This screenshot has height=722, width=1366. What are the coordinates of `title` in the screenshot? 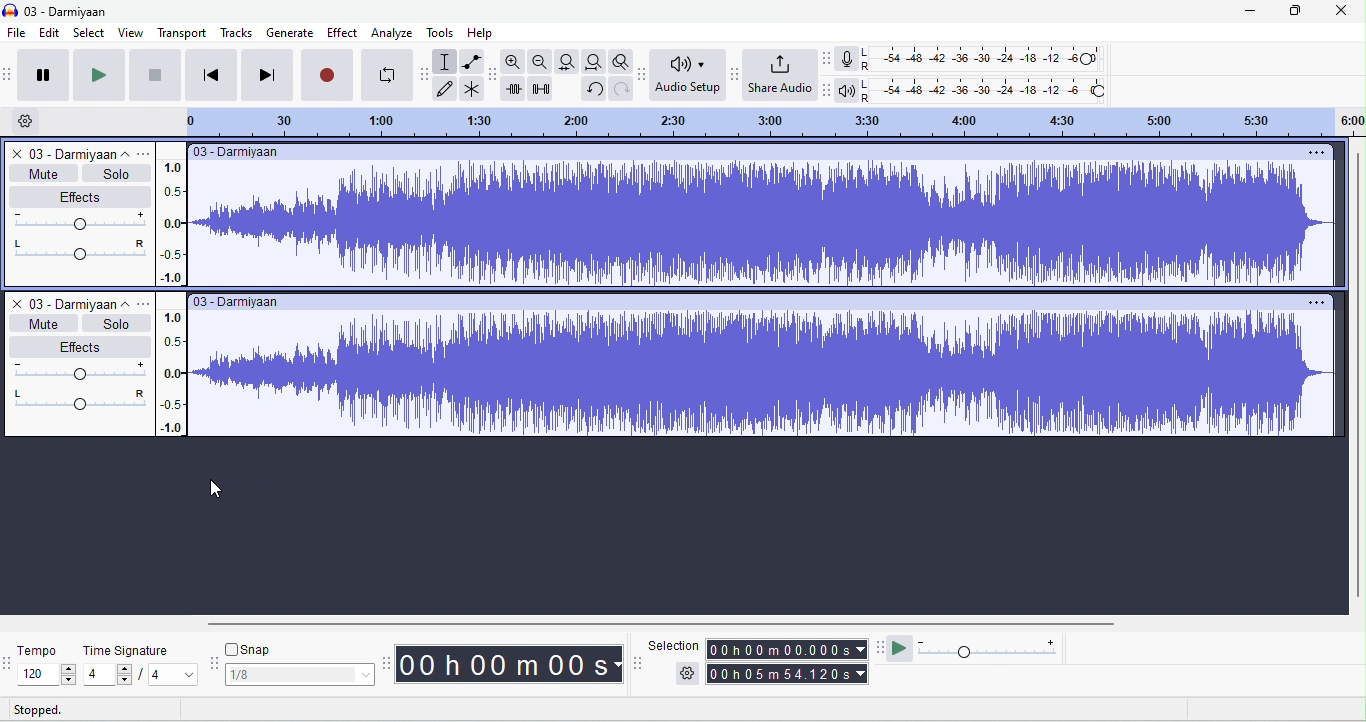 It's located at (58, 10).